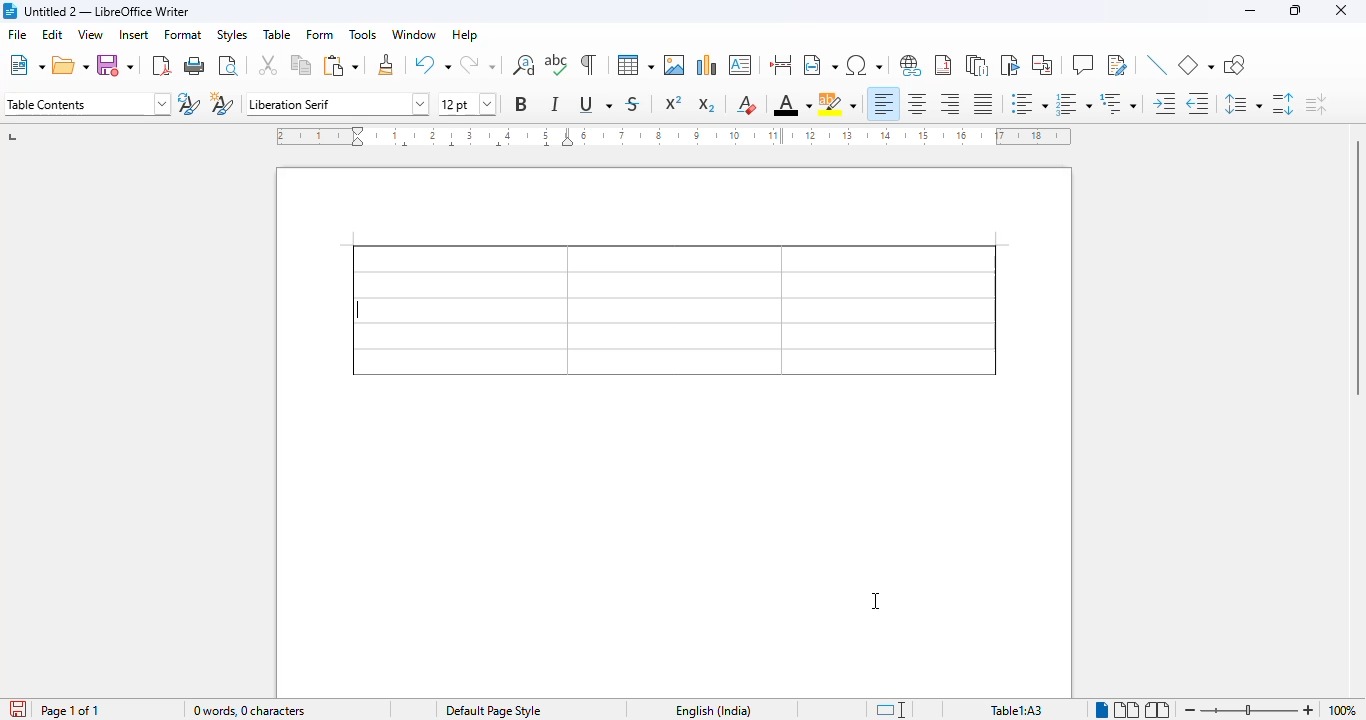 Image resolution: width=1366 pixels, height=720 pixels. Describe the element at coordinates (71, 65) in the screenshot. I see `open` at that location.